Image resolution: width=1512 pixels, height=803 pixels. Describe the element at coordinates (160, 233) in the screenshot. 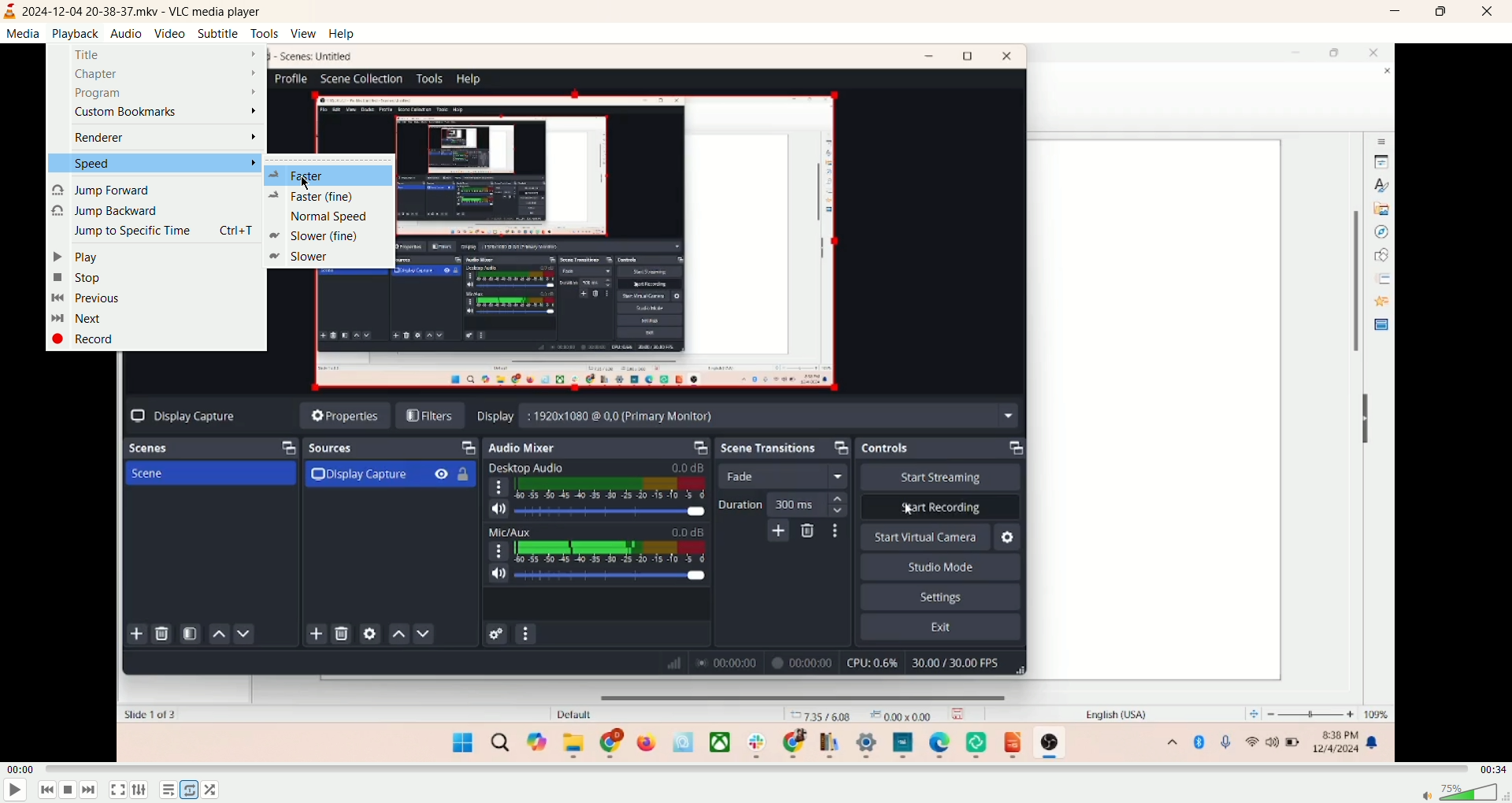

I see `jump to specific time` at that location.